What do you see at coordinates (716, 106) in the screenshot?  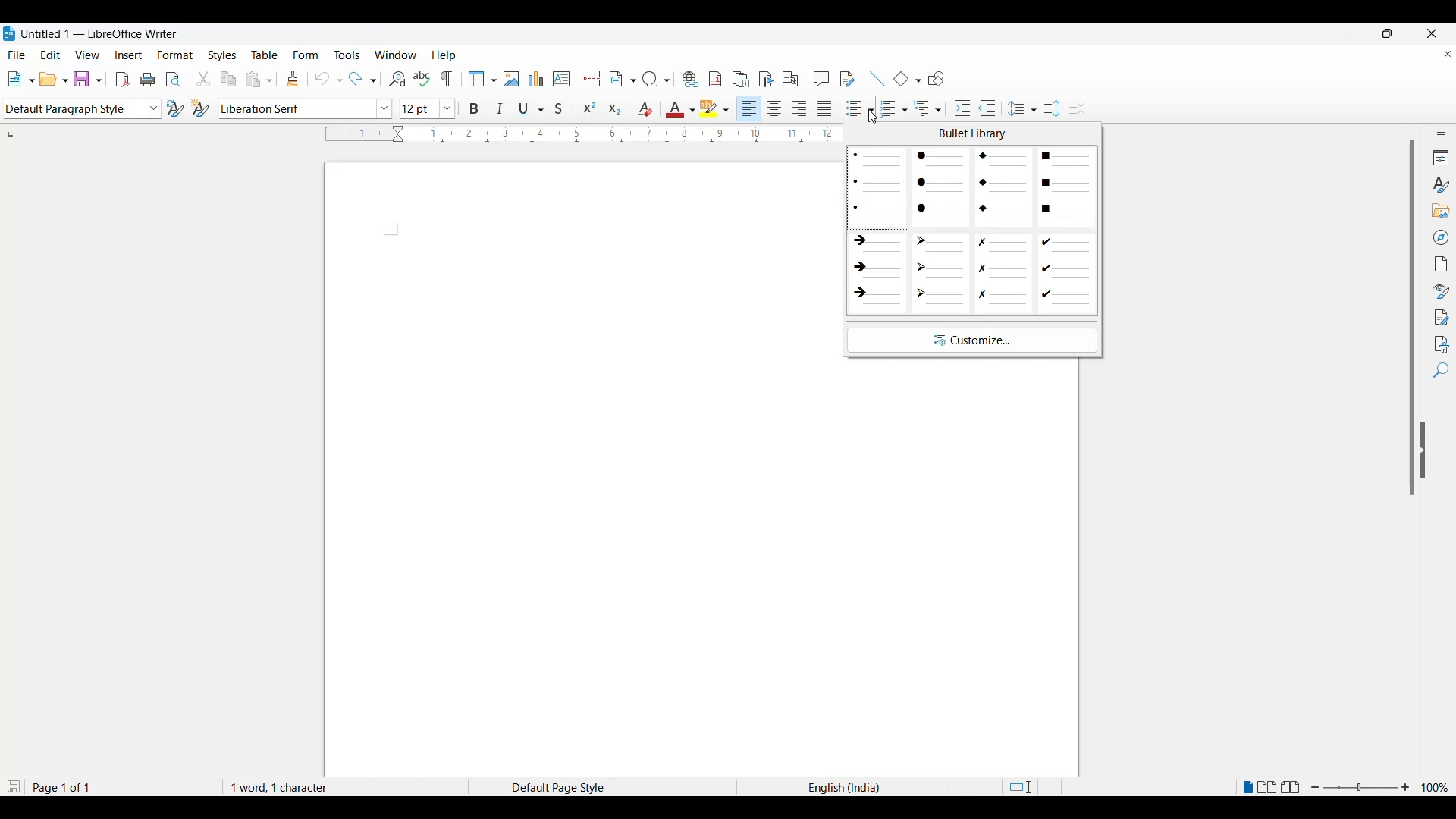 I see `hightlight color` at bounding box center [716, 106].